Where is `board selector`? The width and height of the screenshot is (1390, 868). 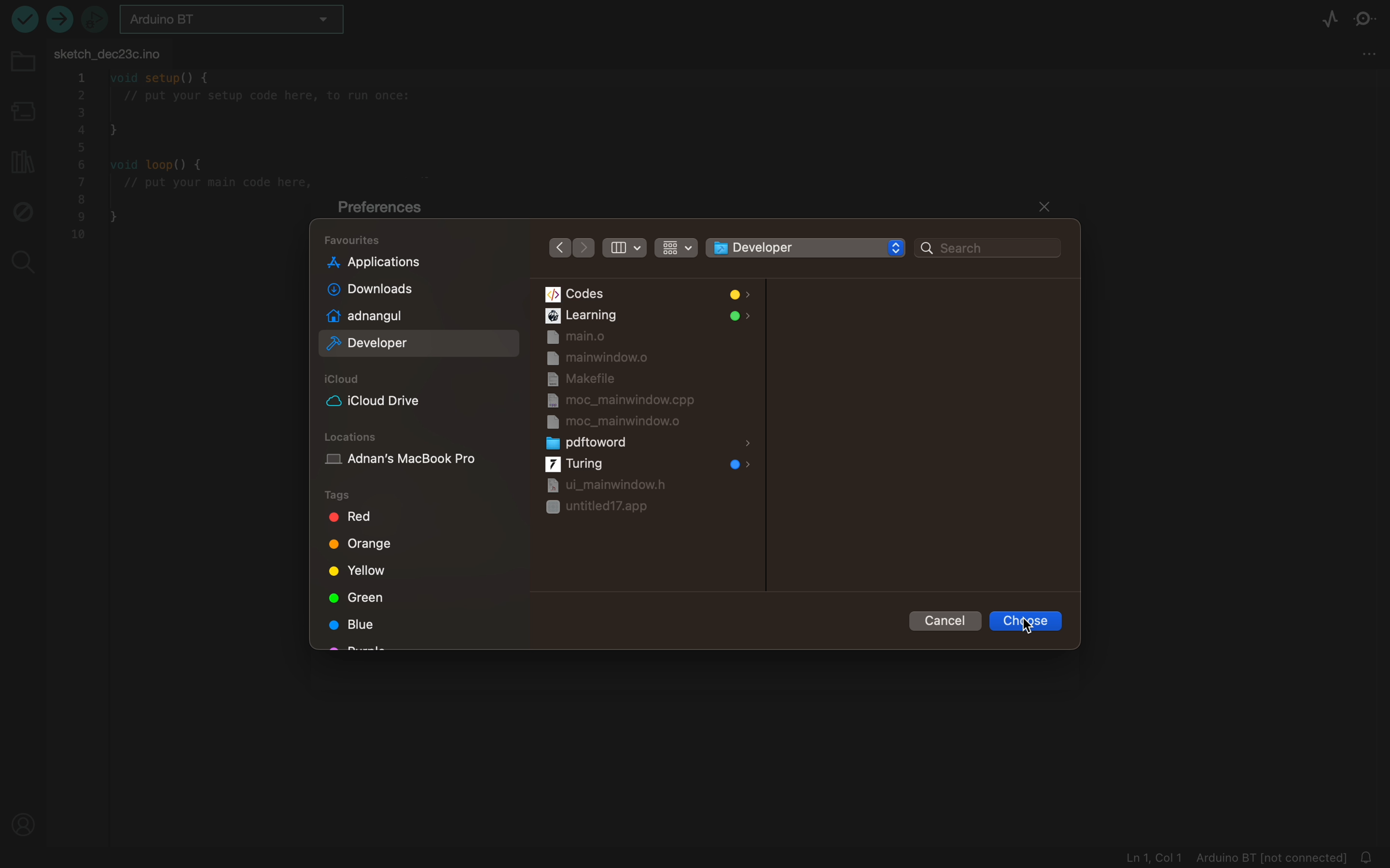
board selector is located at coordinates (232, 22).